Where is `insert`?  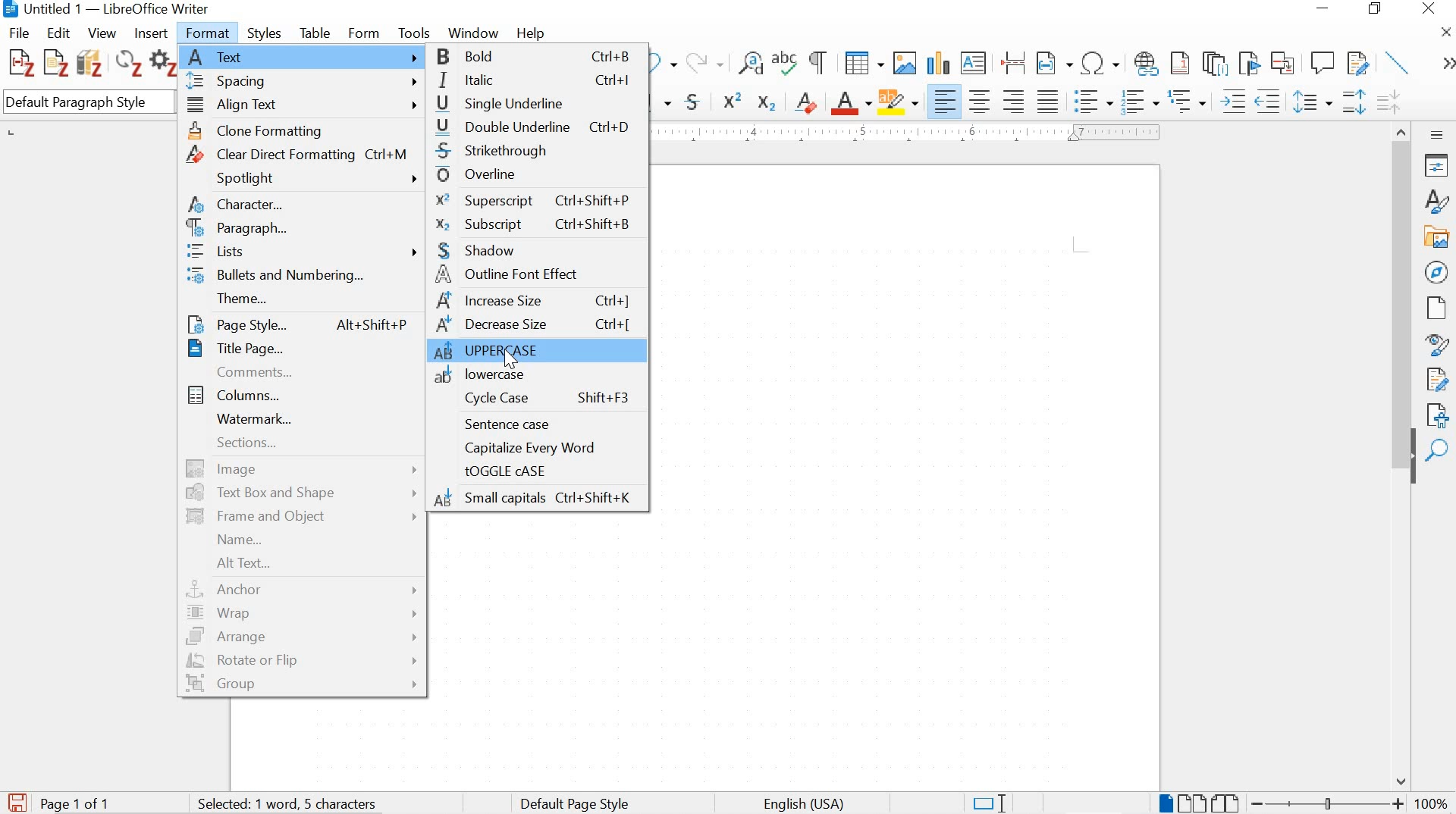
insert is located at coordinates (149, 34).